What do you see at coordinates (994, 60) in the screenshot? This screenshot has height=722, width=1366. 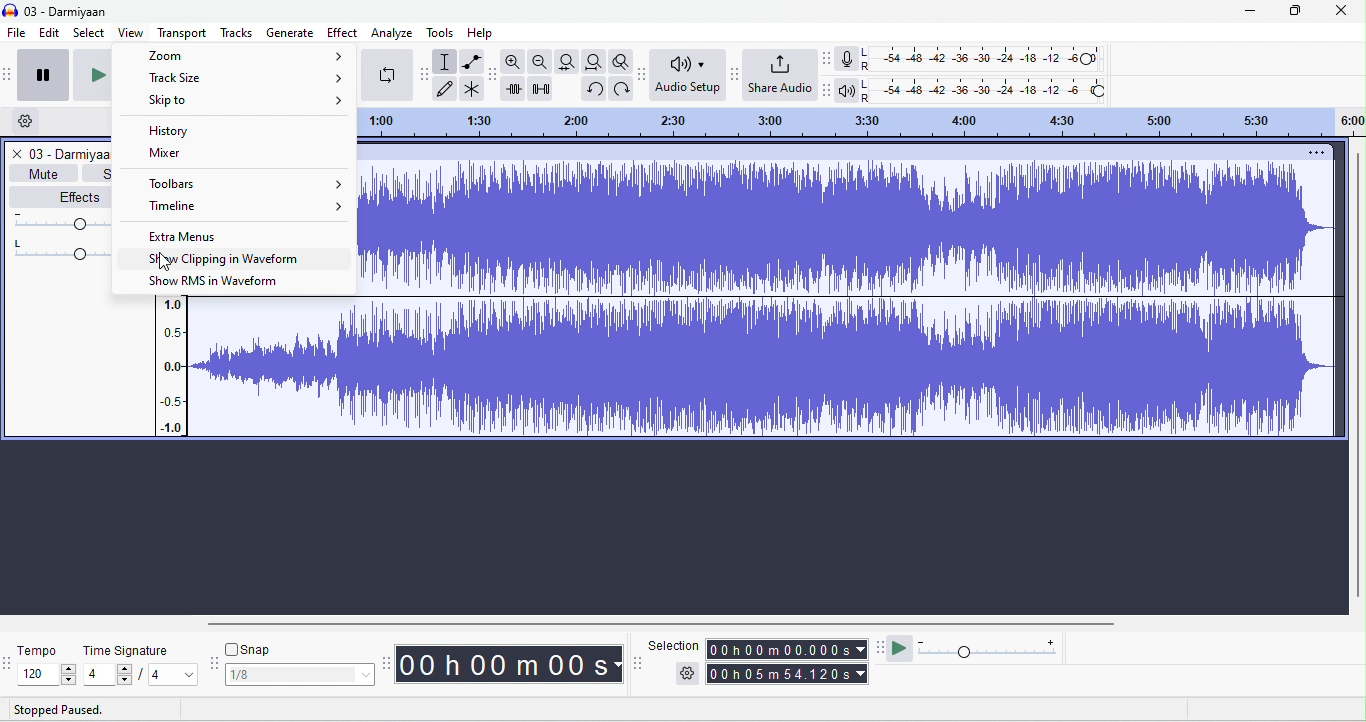 I see `recording level` at bounding box center [994, 60].